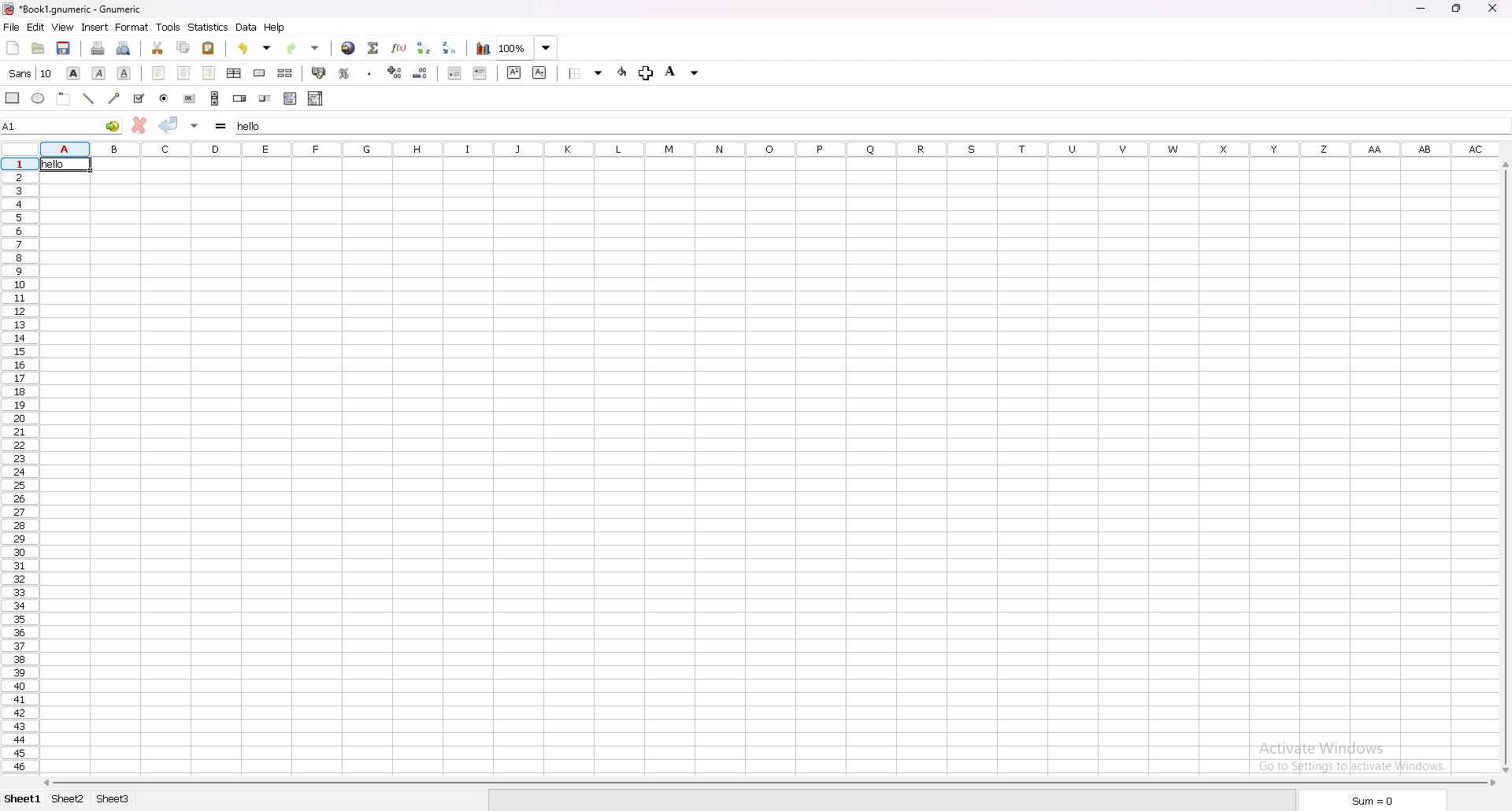 The height and width of the screenshot is (811, 1512). I want to click on copy, so click(184, 46).